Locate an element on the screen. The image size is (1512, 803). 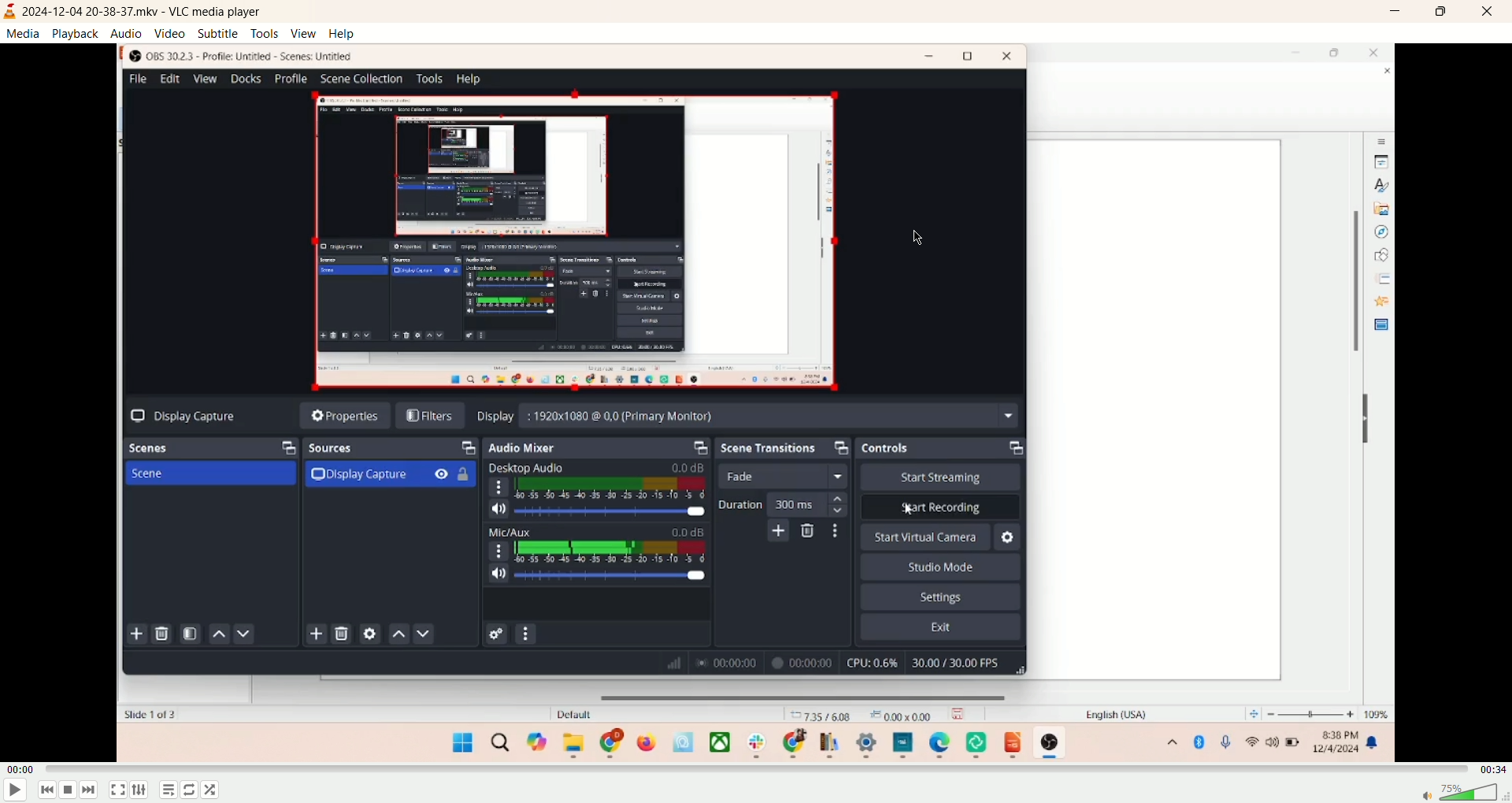
stop is located at coordinates (69, 790).